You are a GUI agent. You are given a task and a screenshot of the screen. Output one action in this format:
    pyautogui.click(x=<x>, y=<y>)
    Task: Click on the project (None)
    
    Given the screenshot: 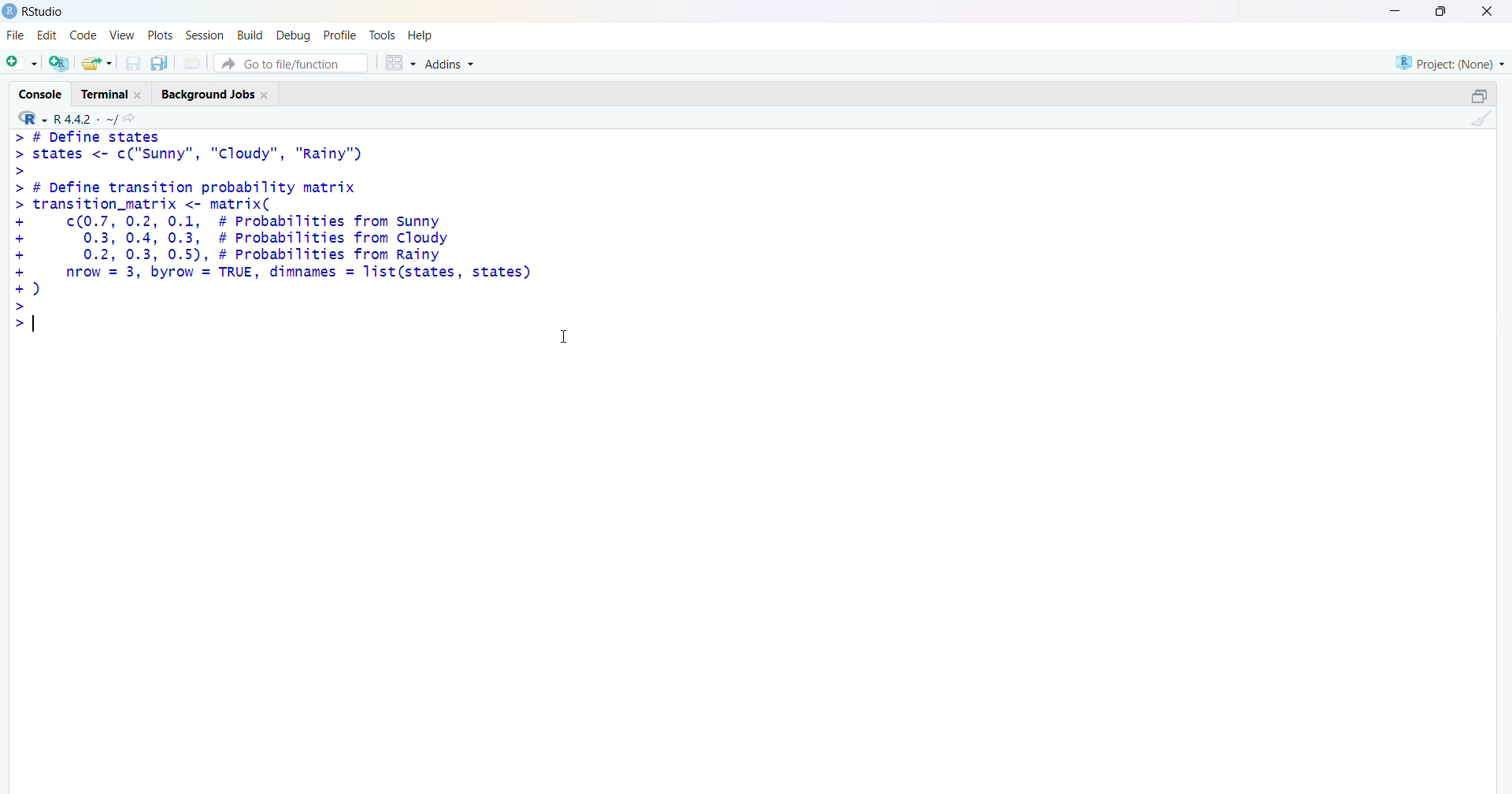 What is the action you would take?
    pyautogui.click(x=1448, y=61)
    